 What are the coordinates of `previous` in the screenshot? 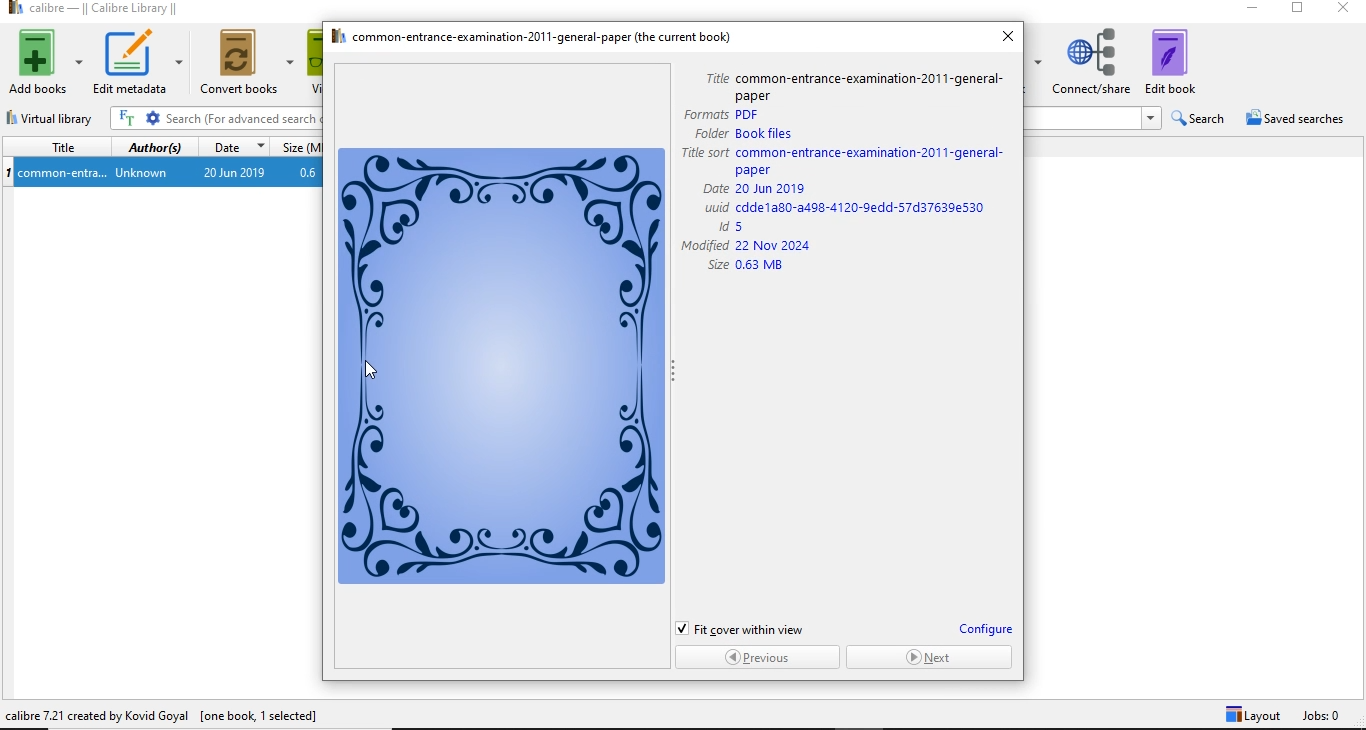 It's located at (756, 656).